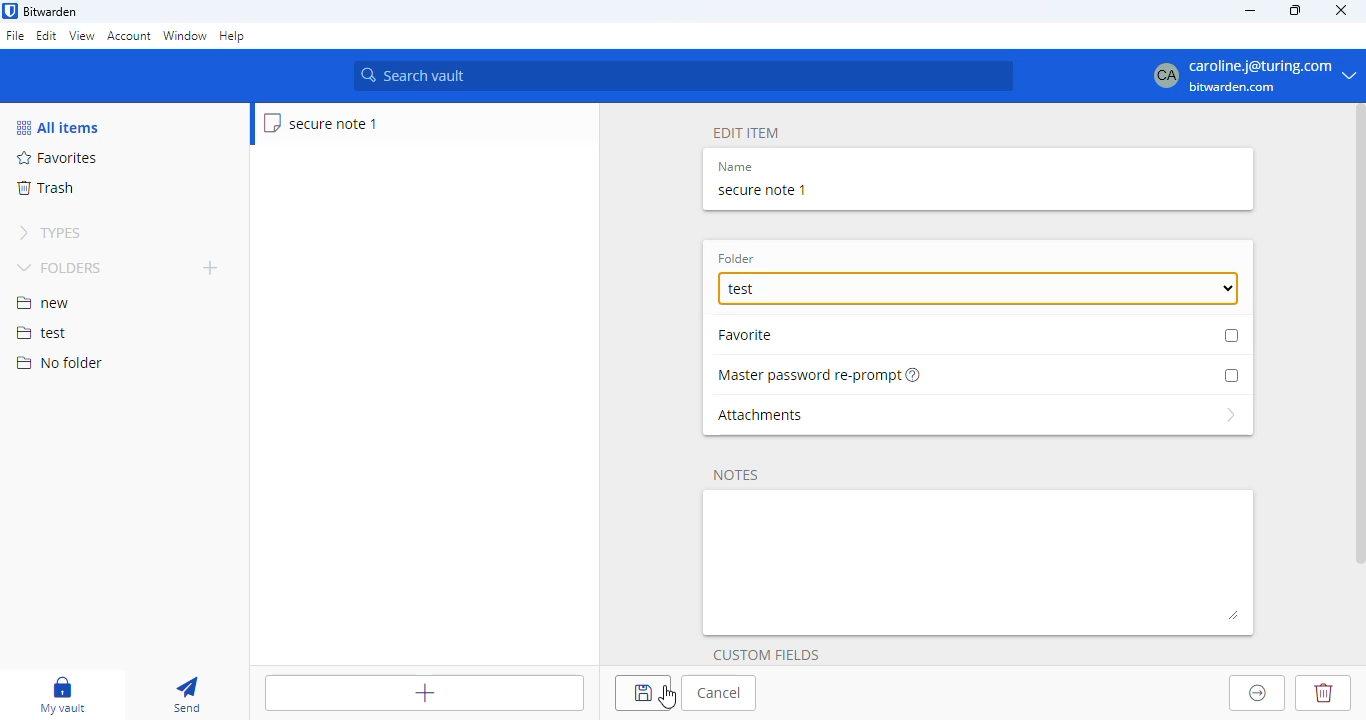  Describe the element at coordinates (425, 693) in the screenshot. I see `add item` at that location.